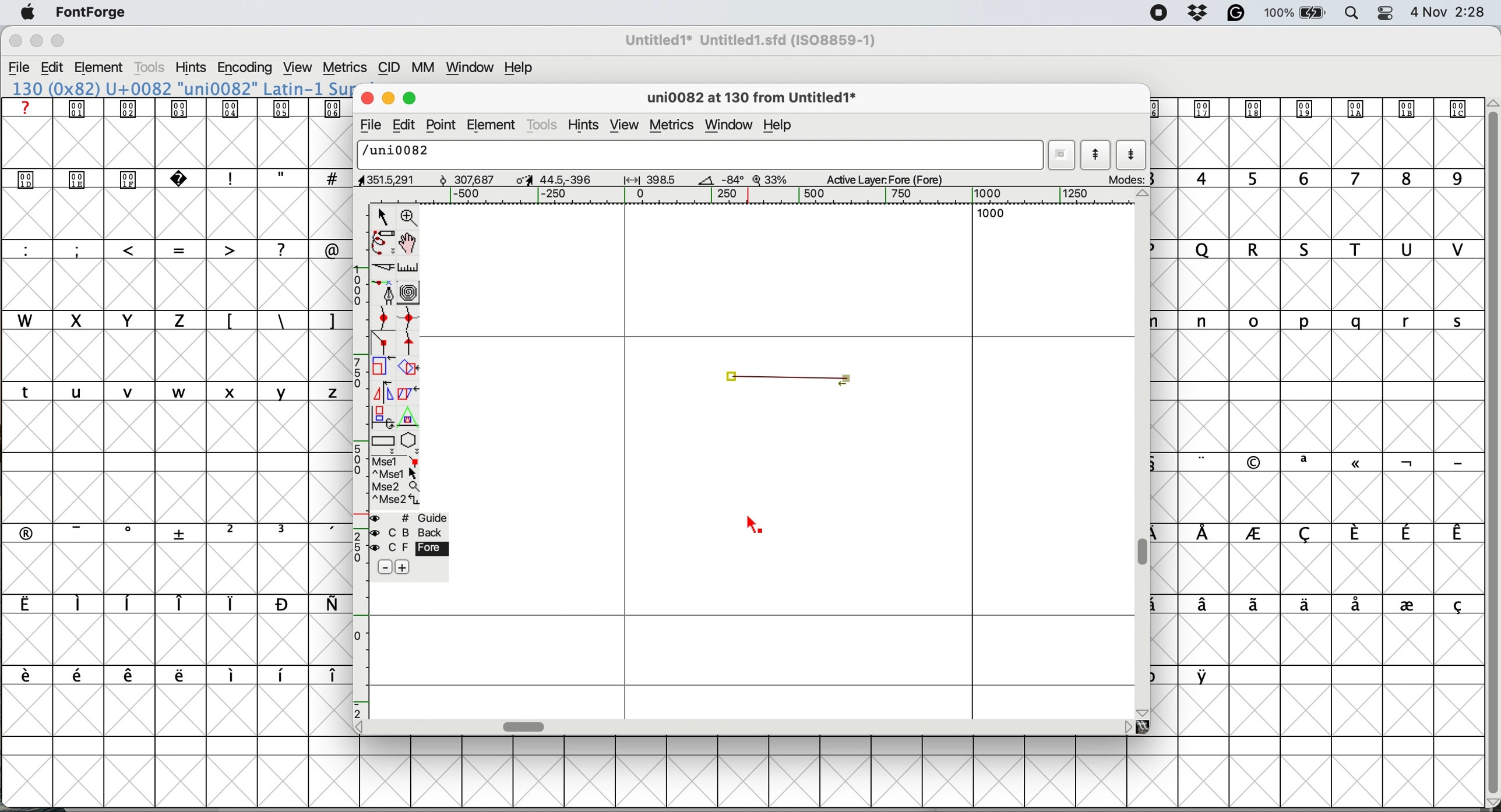  I want to click on active layer, so click(896, 178).